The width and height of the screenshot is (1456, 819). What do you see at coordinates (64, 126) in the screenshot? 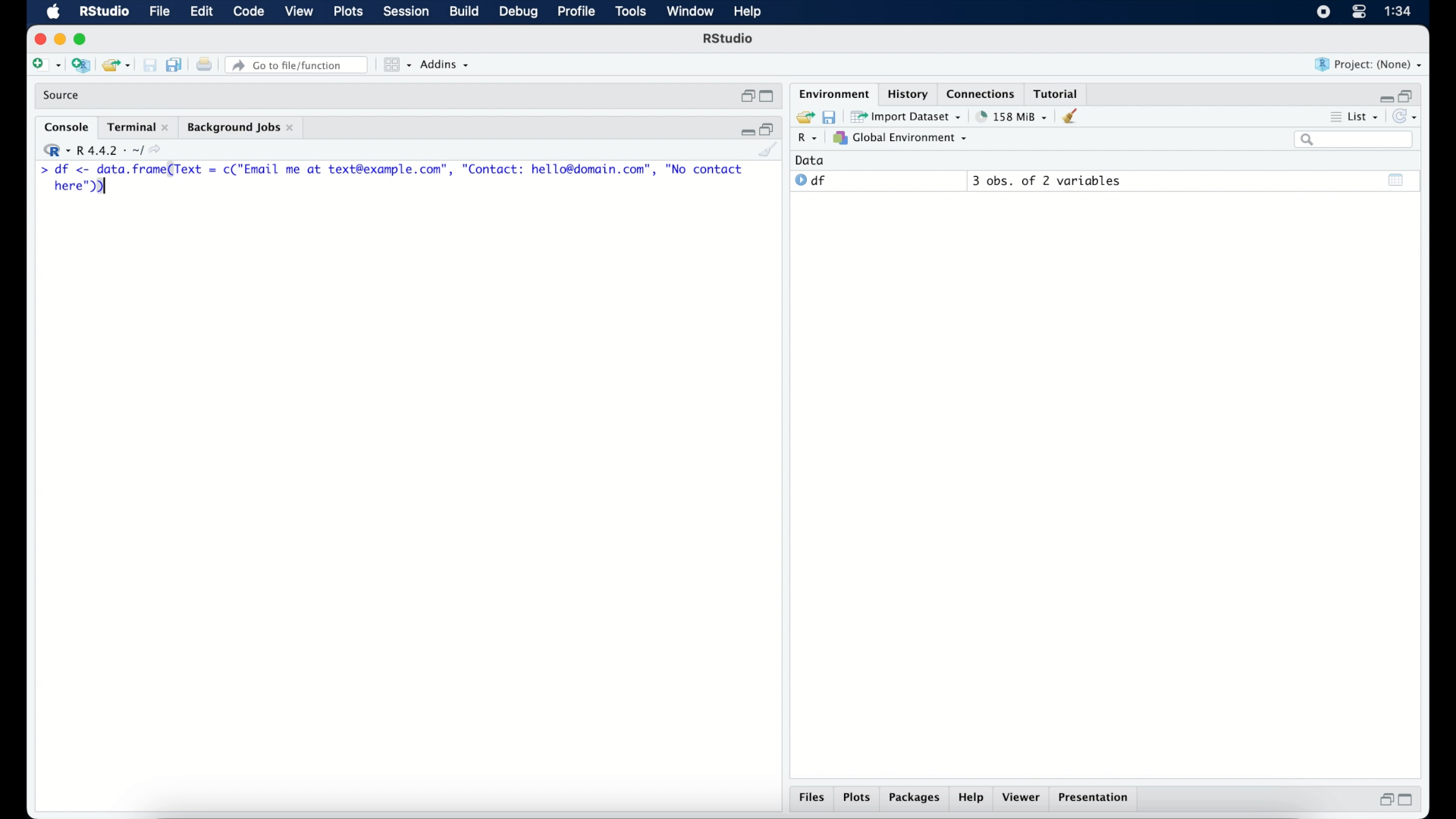
I see `console` at bounding box center [64, 126].